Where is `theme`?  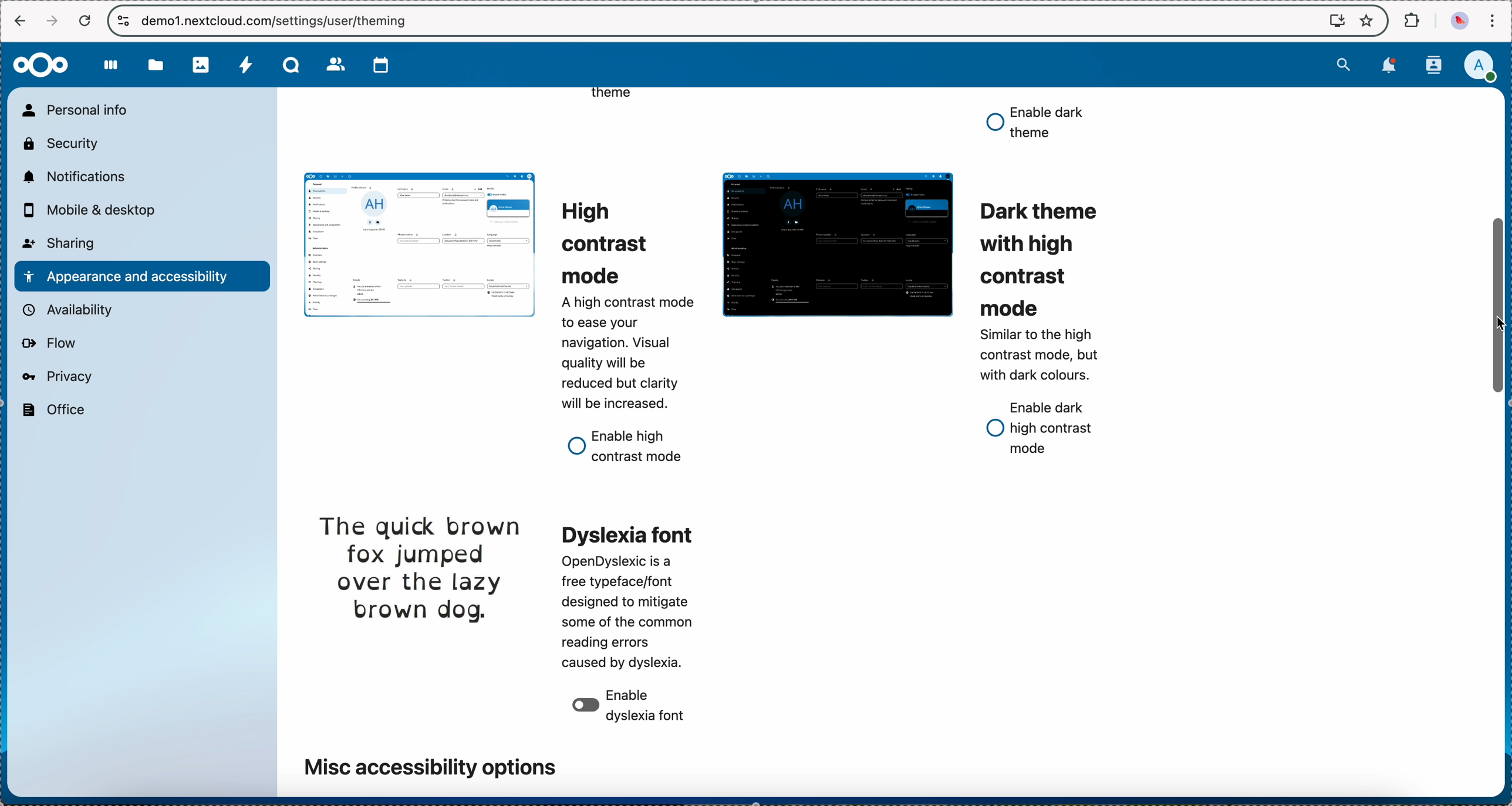 theme is located at coordinates (612, 99).